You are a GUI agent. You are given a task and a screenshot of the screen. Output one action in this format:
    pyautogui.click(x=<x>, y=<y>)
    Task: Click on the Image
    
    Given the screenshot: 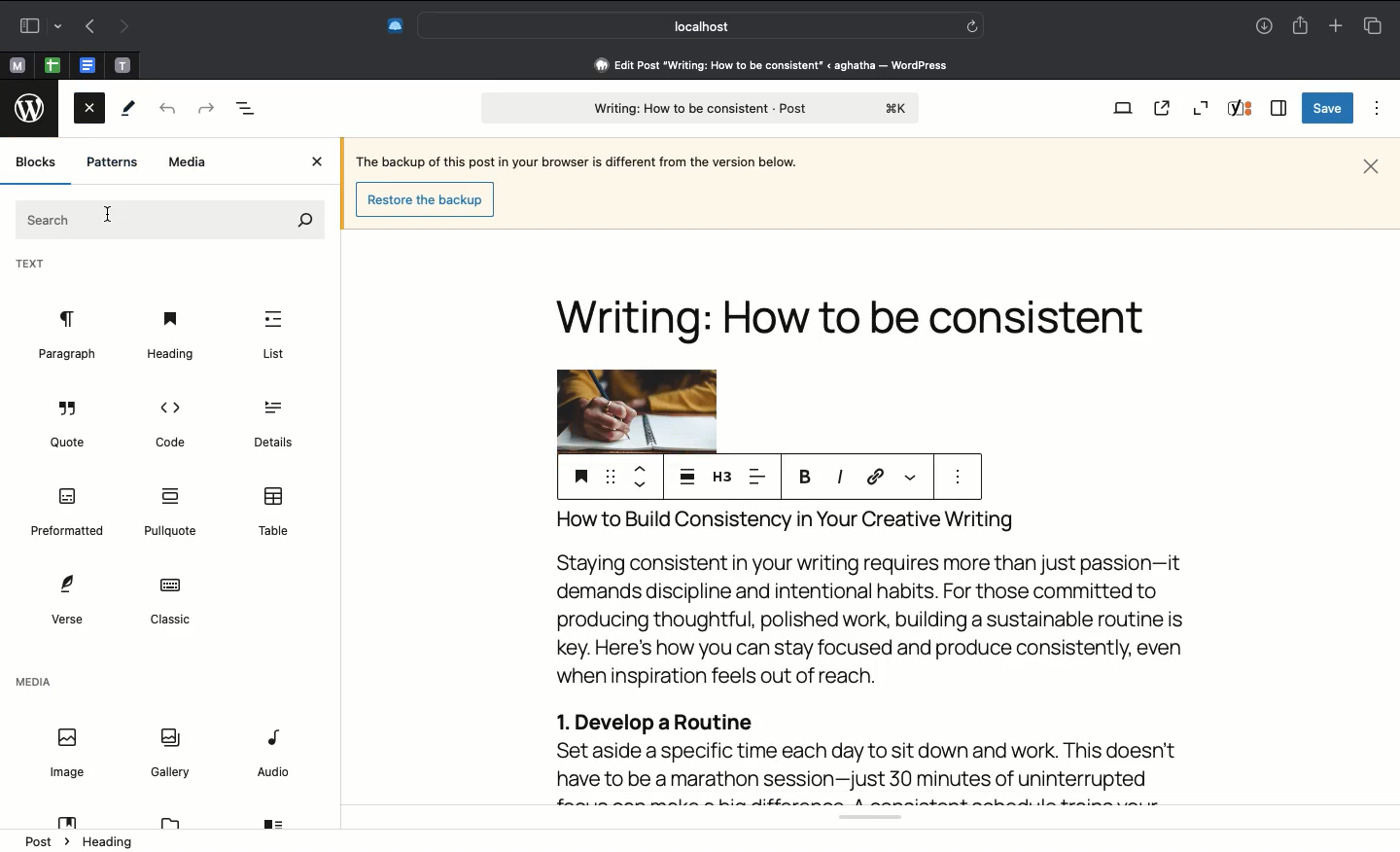 What is the action you would take?
    pyautogui.click(x=66, y=754)
    